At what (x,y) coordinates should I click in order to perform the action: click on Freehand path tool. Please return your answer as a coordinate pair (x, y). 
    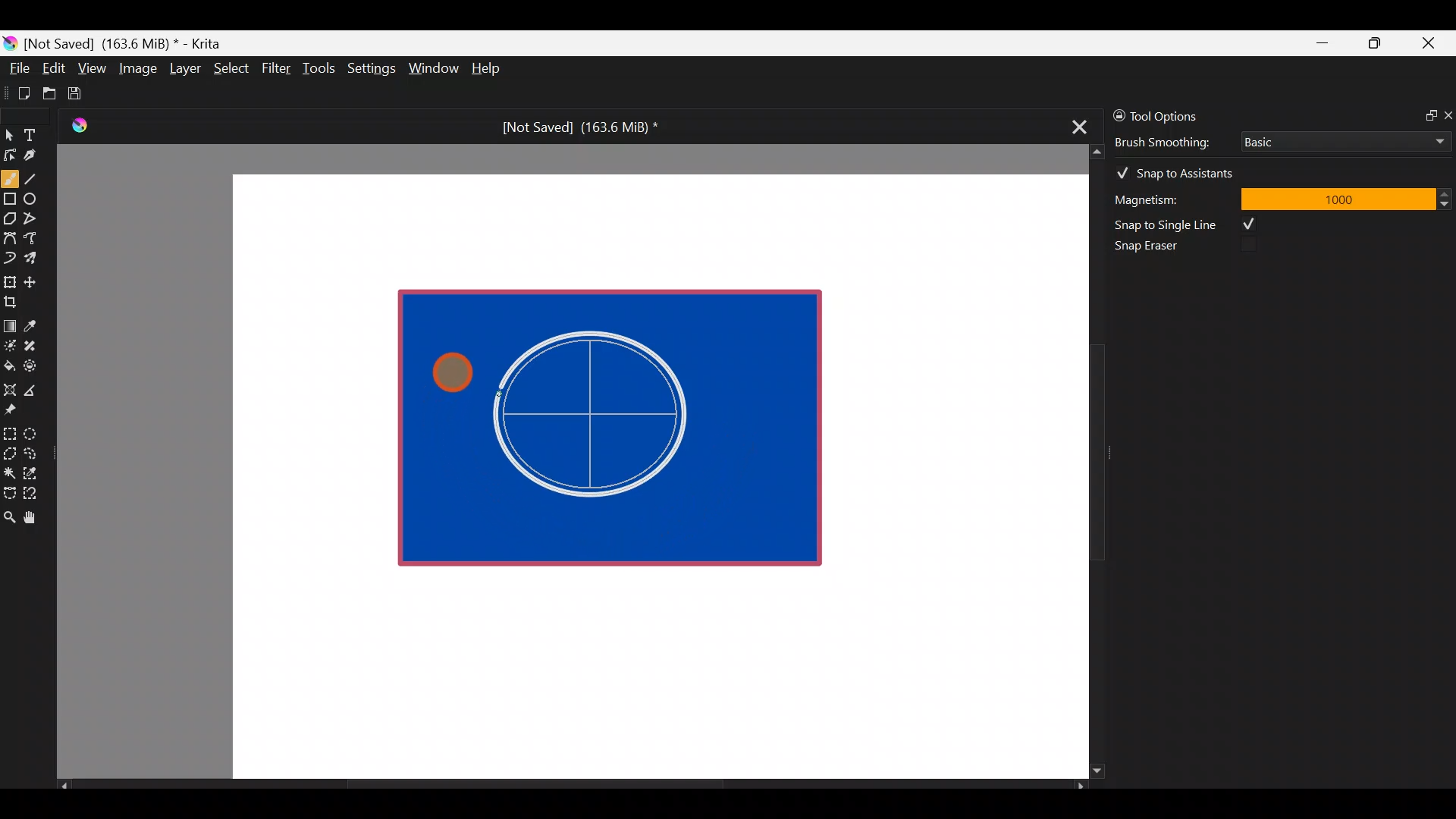
    Looking at the image, I should click on (38, 240).